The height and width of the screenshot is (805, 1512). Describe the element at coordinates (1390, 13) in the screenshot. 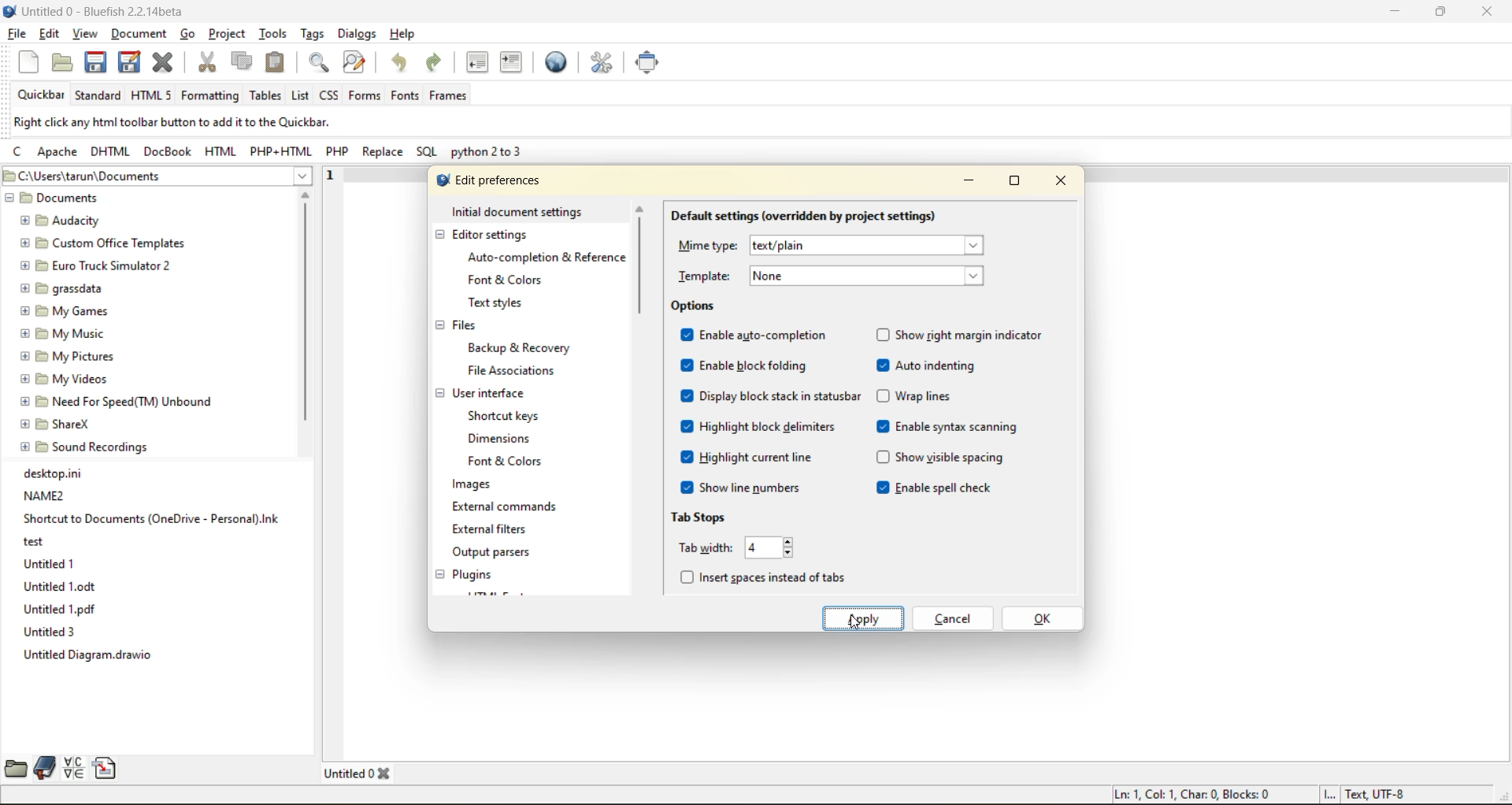

I see `minimize` at that location.